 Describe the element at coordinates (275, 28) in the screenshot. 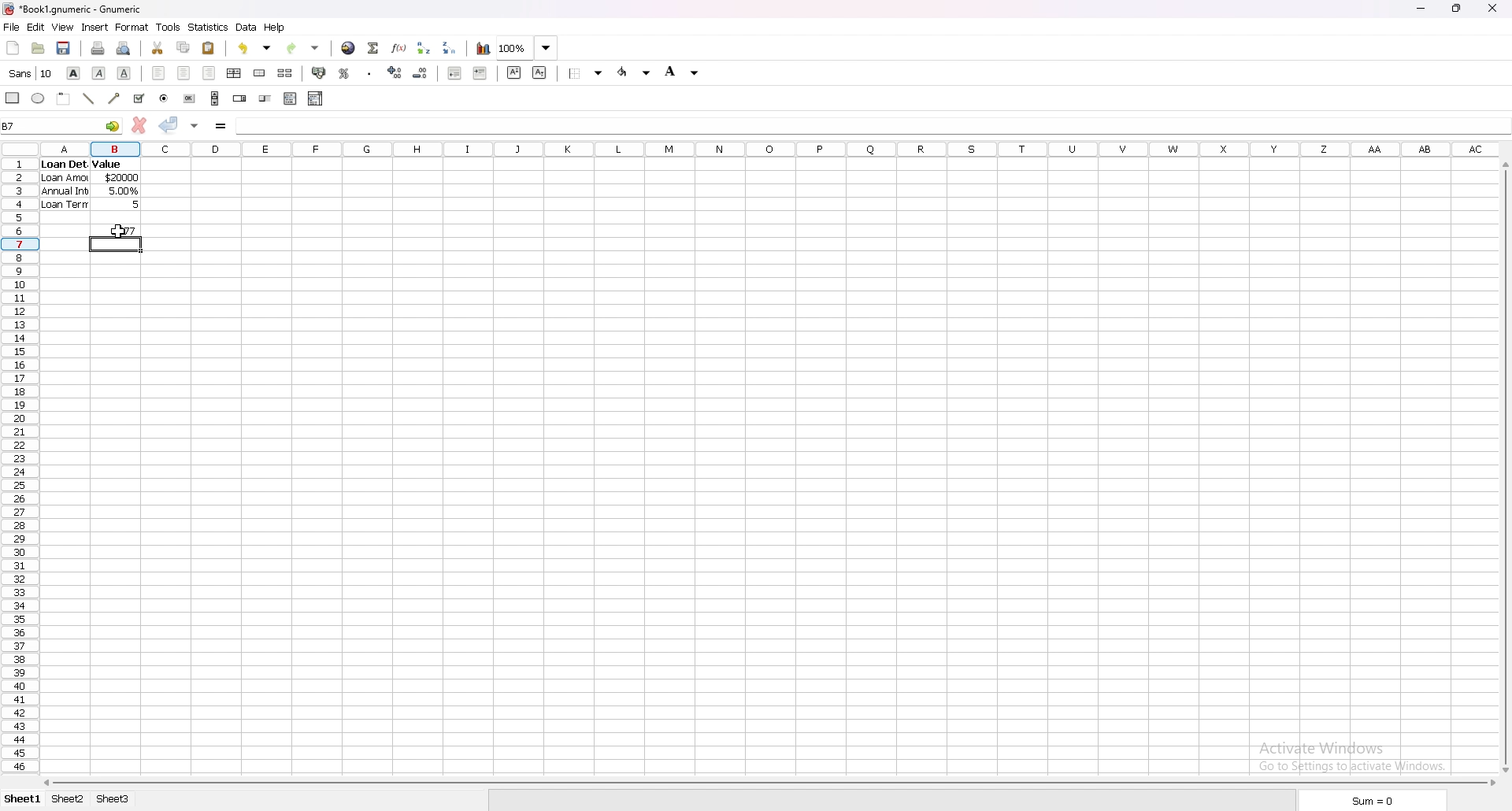

I see `help` at that location.